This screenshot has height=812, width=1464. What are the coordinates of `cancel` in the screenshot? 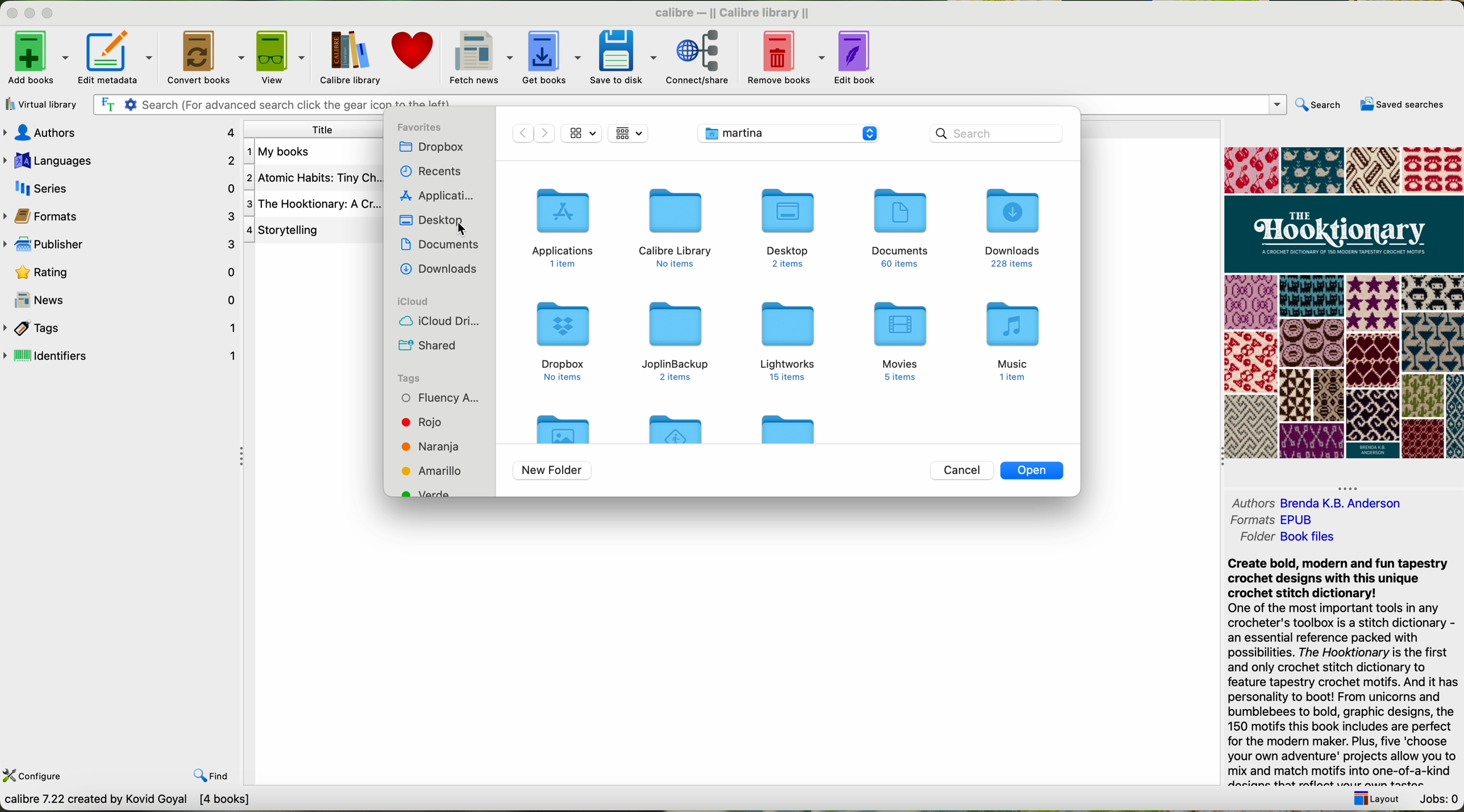 It's located at (963, 471).